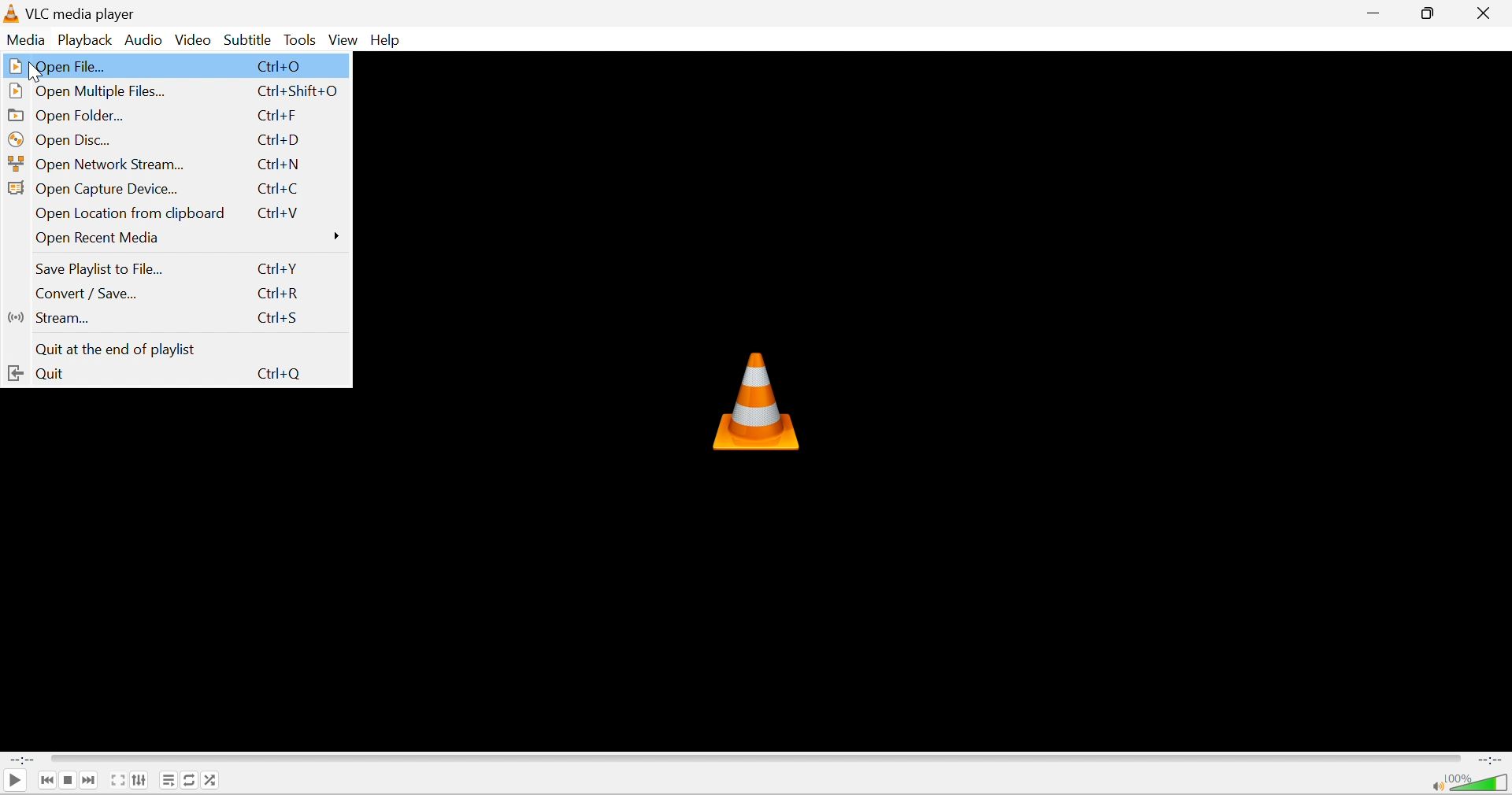  Describe the element at coordinates (276, 116) in the screenshot. I see `Ctrl + F` at that location.